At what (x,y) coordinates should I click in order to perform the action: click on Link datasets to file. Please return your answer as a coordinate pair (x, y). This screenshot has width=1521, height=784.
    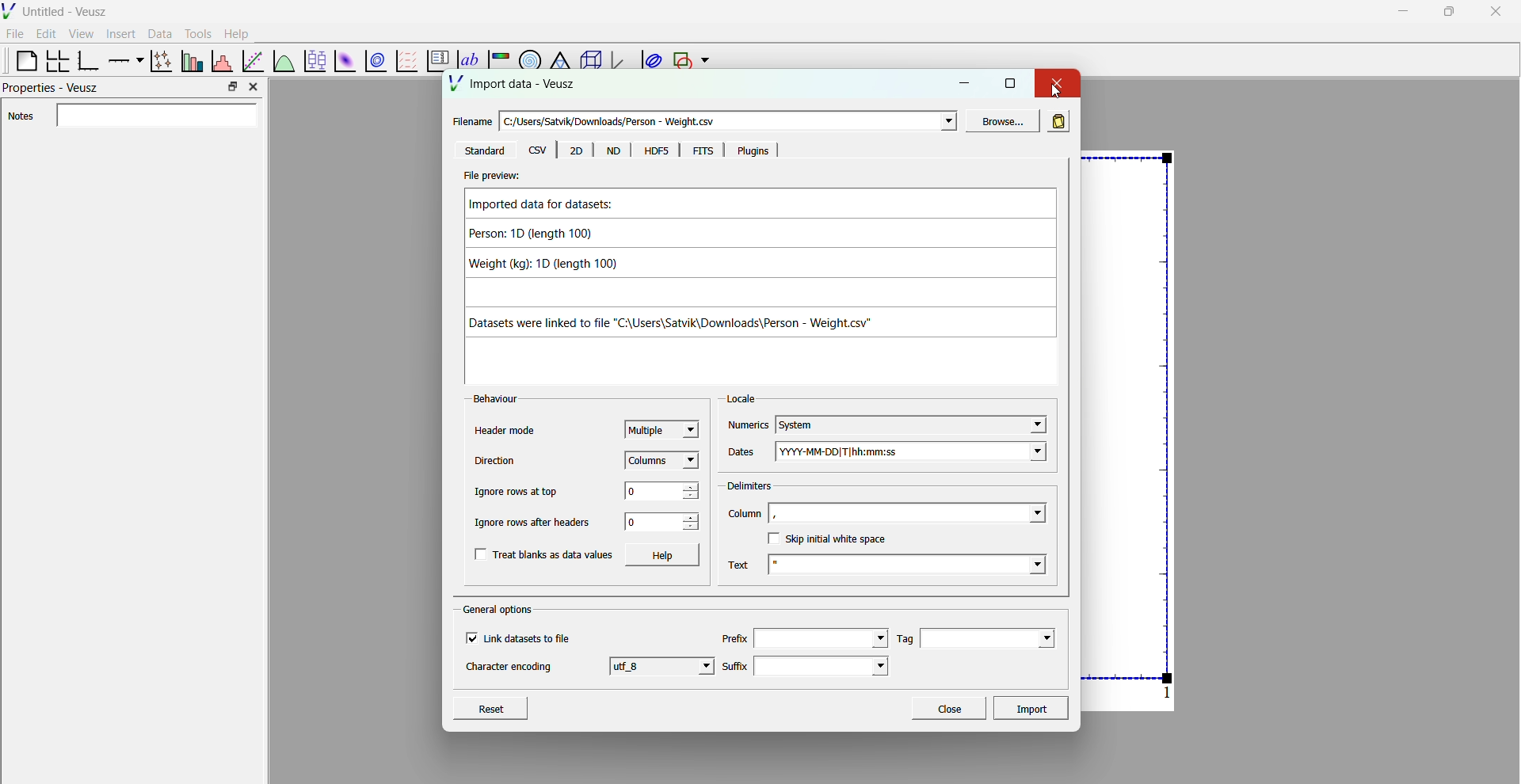
    Looking at the image, I should click on (524, 638).